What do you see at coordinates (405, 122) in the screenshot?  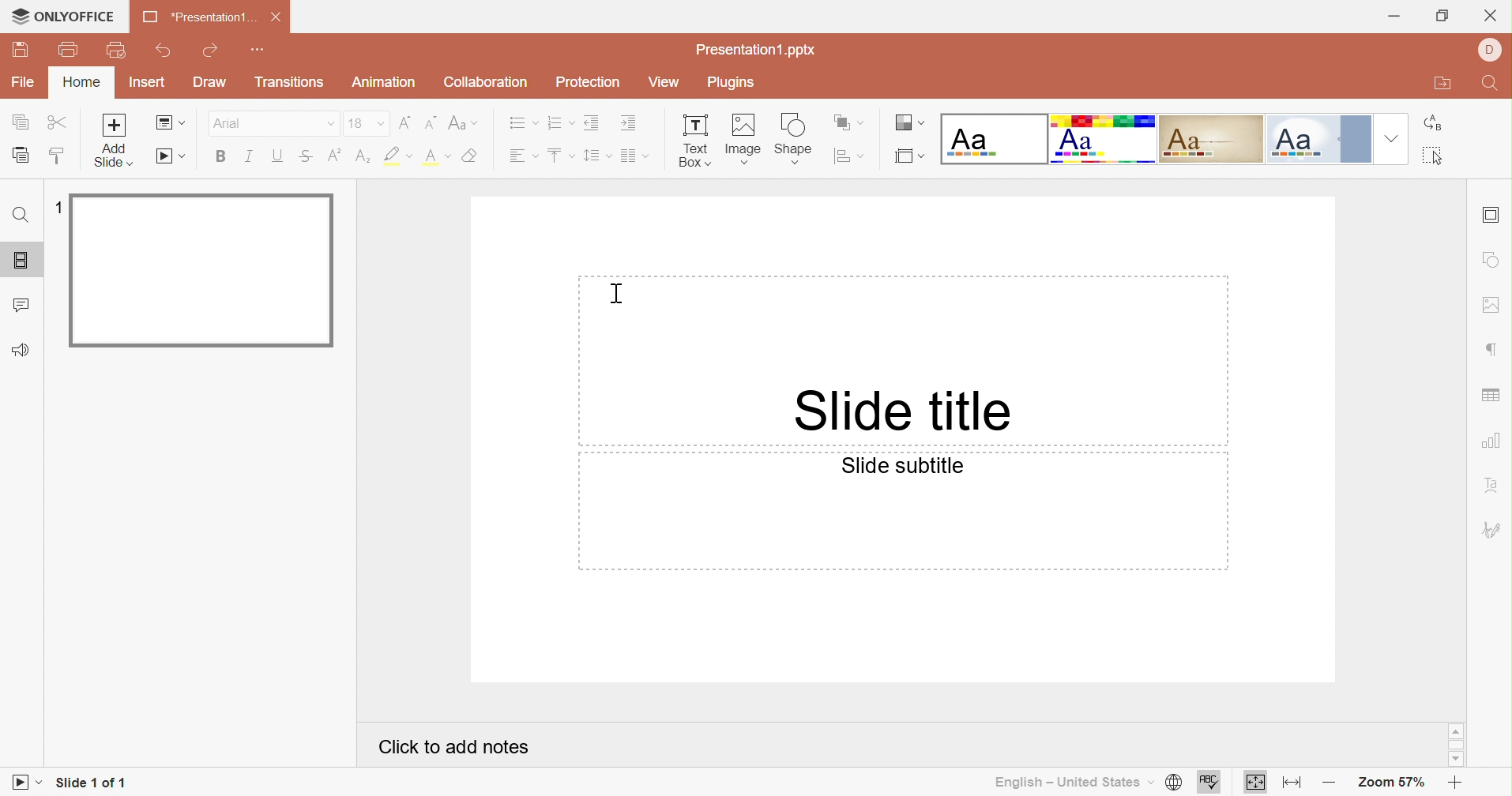 I see `Increment font size` at bounding box center [405, 122].